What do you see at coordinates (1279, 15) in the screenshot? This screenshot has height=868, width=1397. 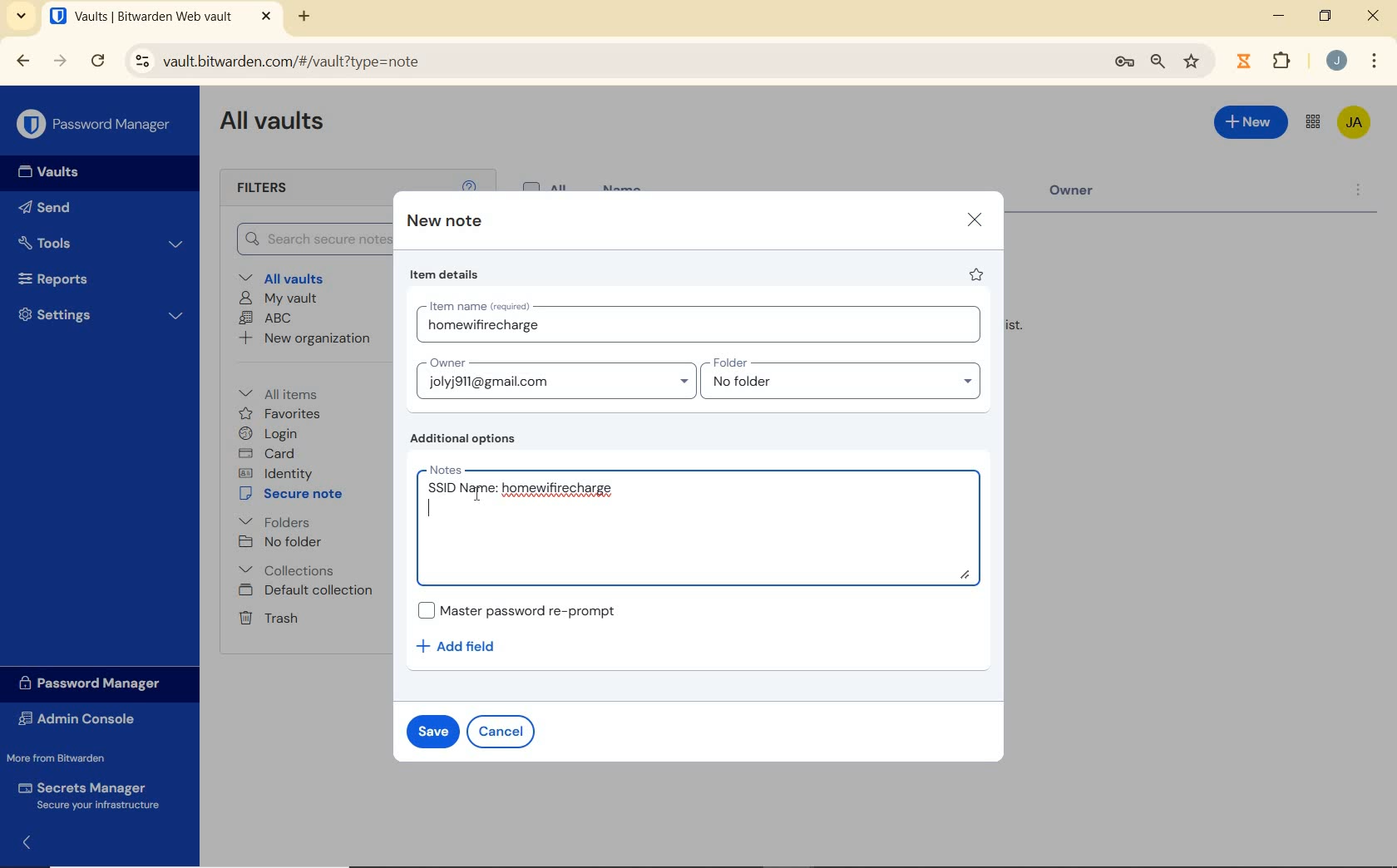 I see `minimize` at bounding box center [1279, 15].